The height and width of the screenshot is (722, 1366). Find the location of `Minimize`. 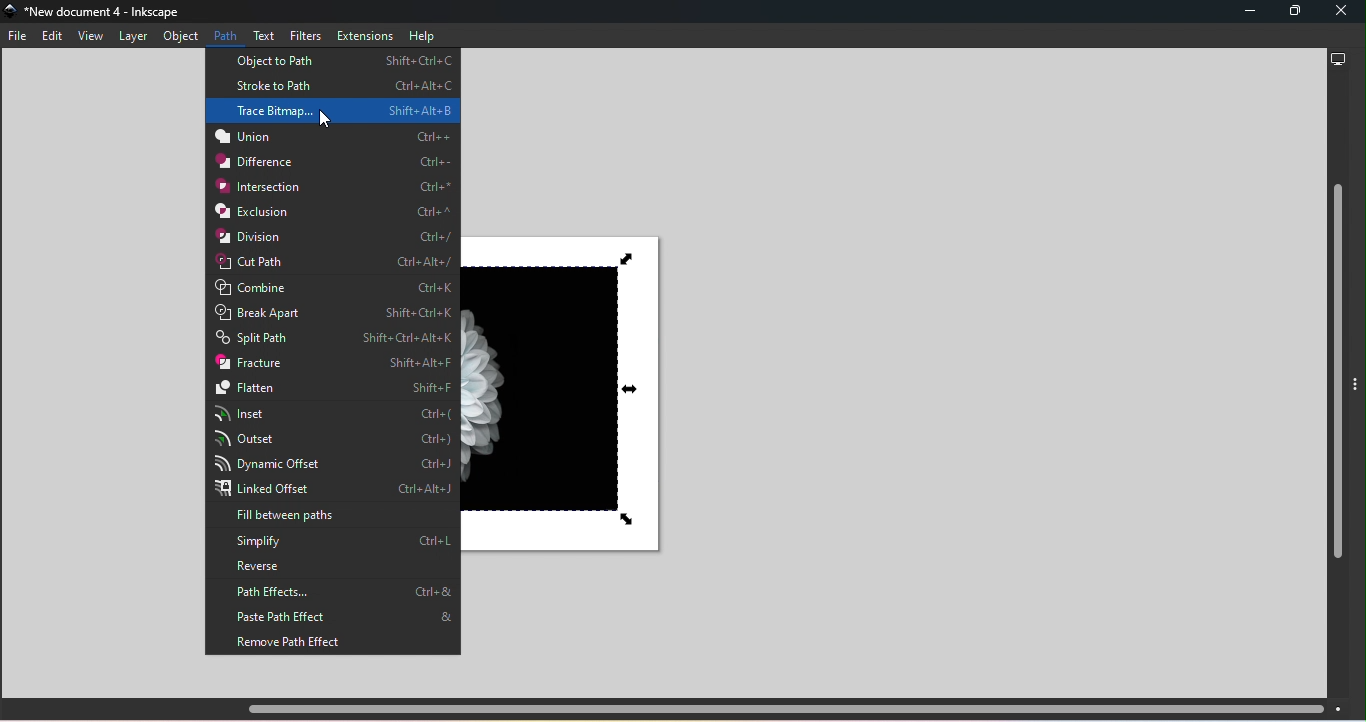

Minimize is located at coordinates (1246, 14).